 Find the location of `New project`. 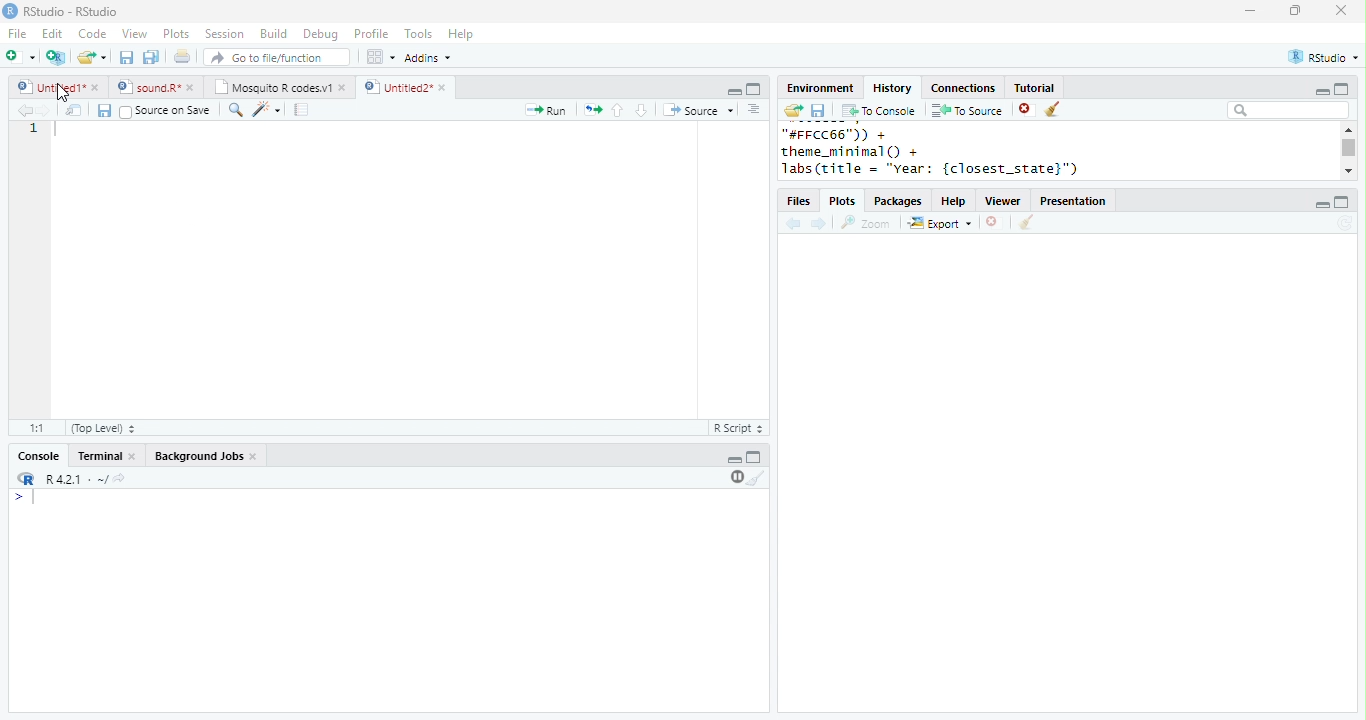

New project is located at coordinates (56, 58).